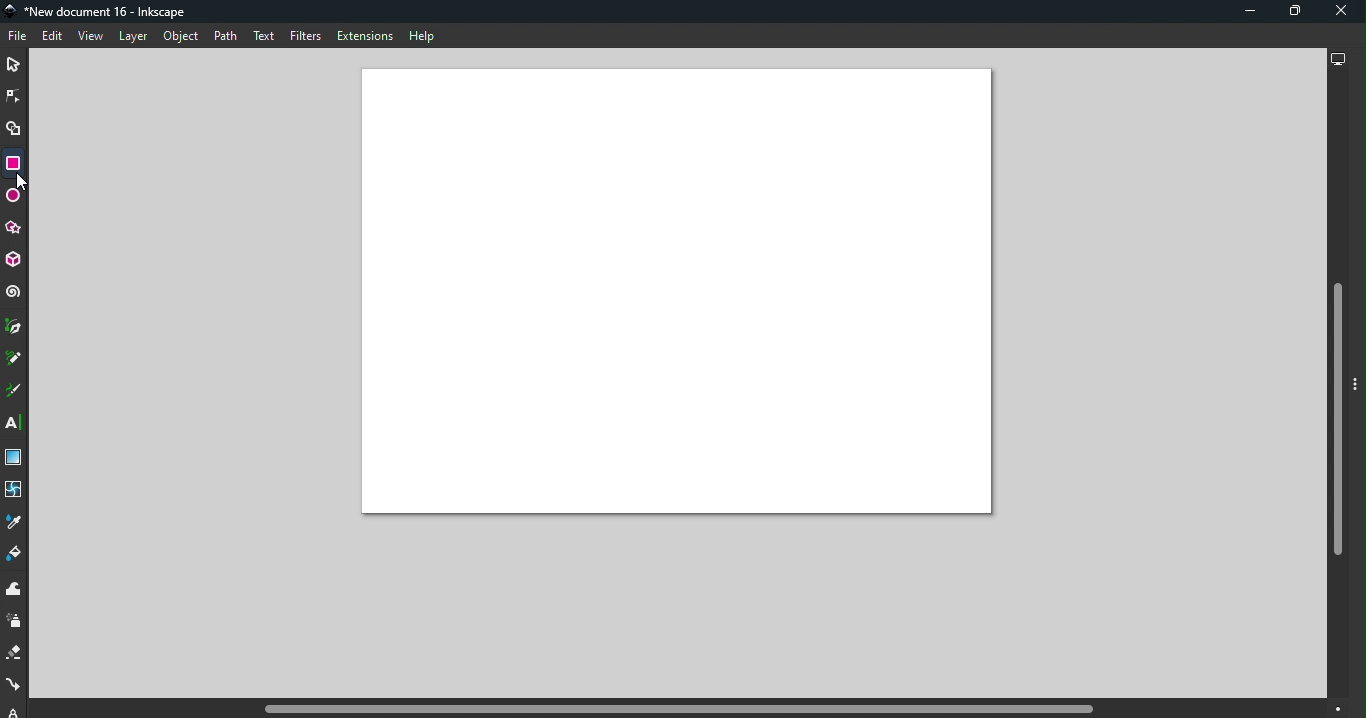  What do you see at coordinates (17, 622) in the screenshot?
I see `Spray tool` at bounding box center [17, 622].